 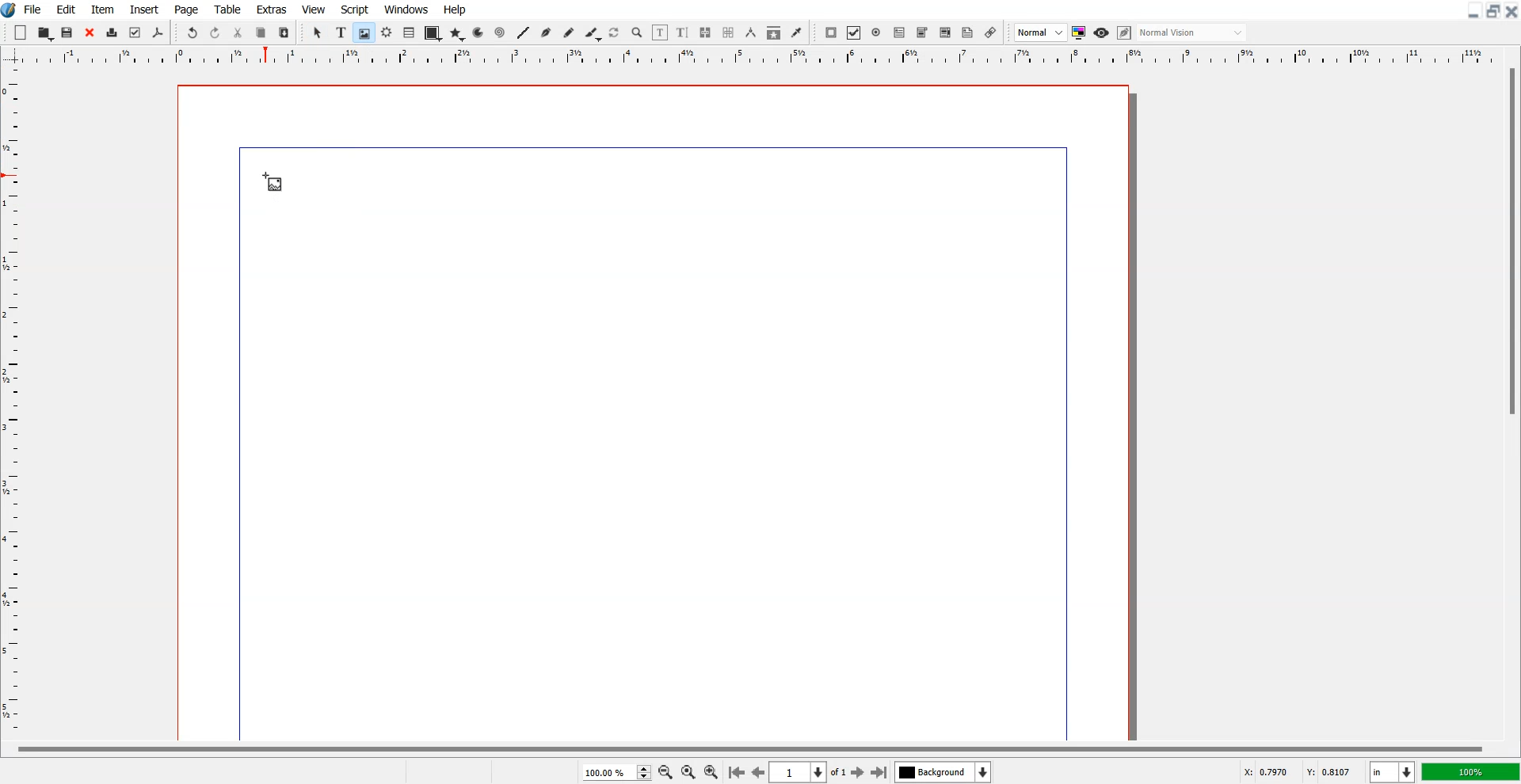 What do you see at coordinates (943, 771) in the screenshot?
I see `Select the current layer` at bounding box center [943, 771].